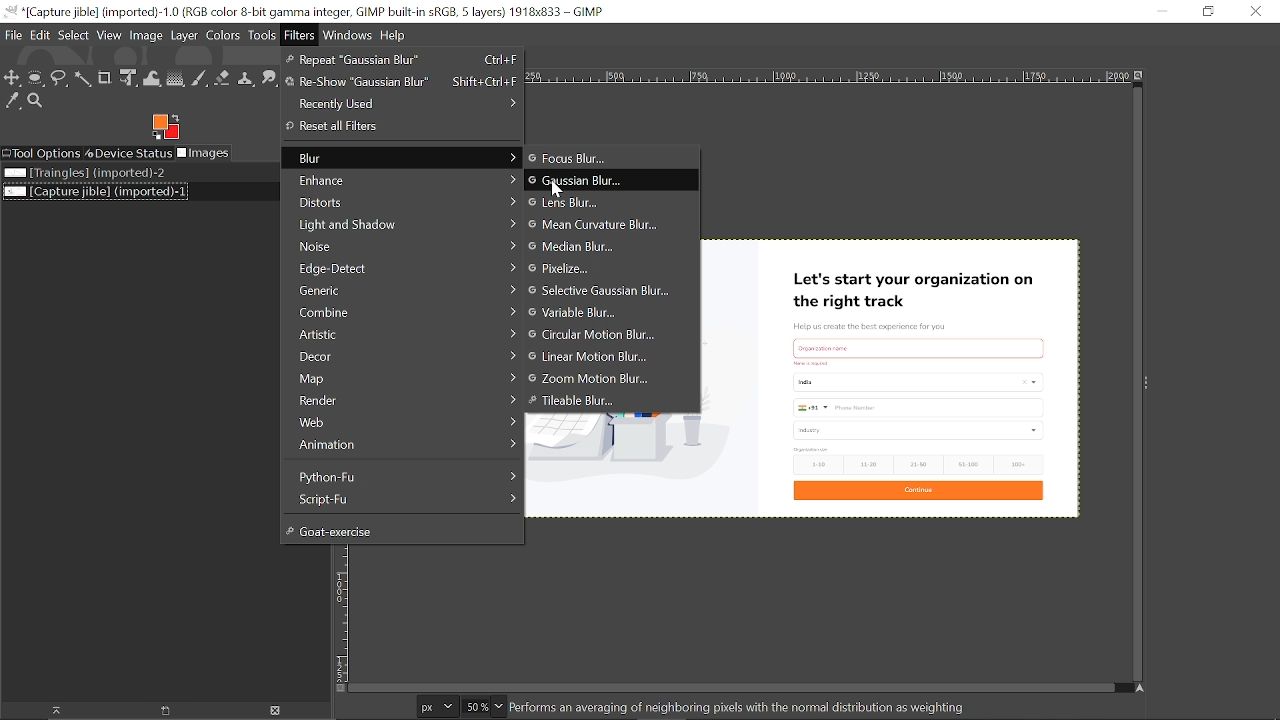 The height and width of the screenshot is (720, 1280). I want to click on Edit, so click(41, 37).